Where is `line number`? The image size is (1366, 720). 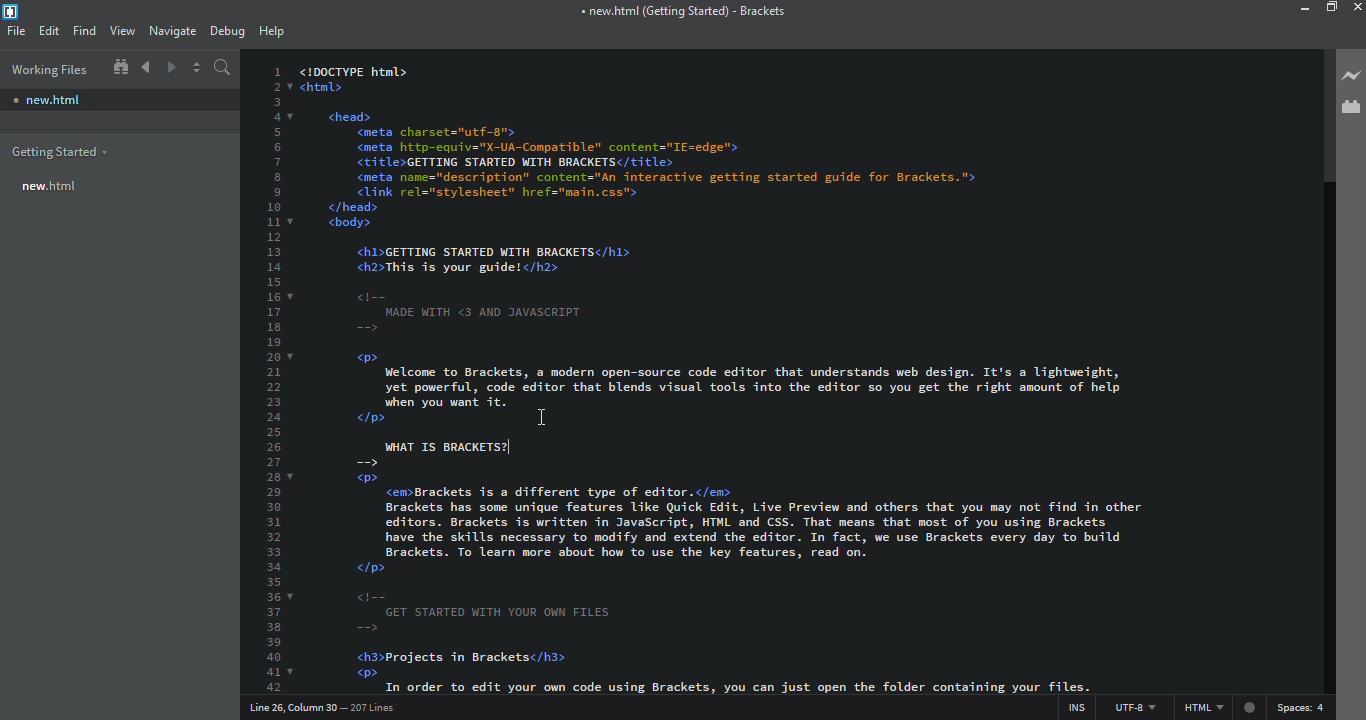
line number is located at coordinates (275, 373).